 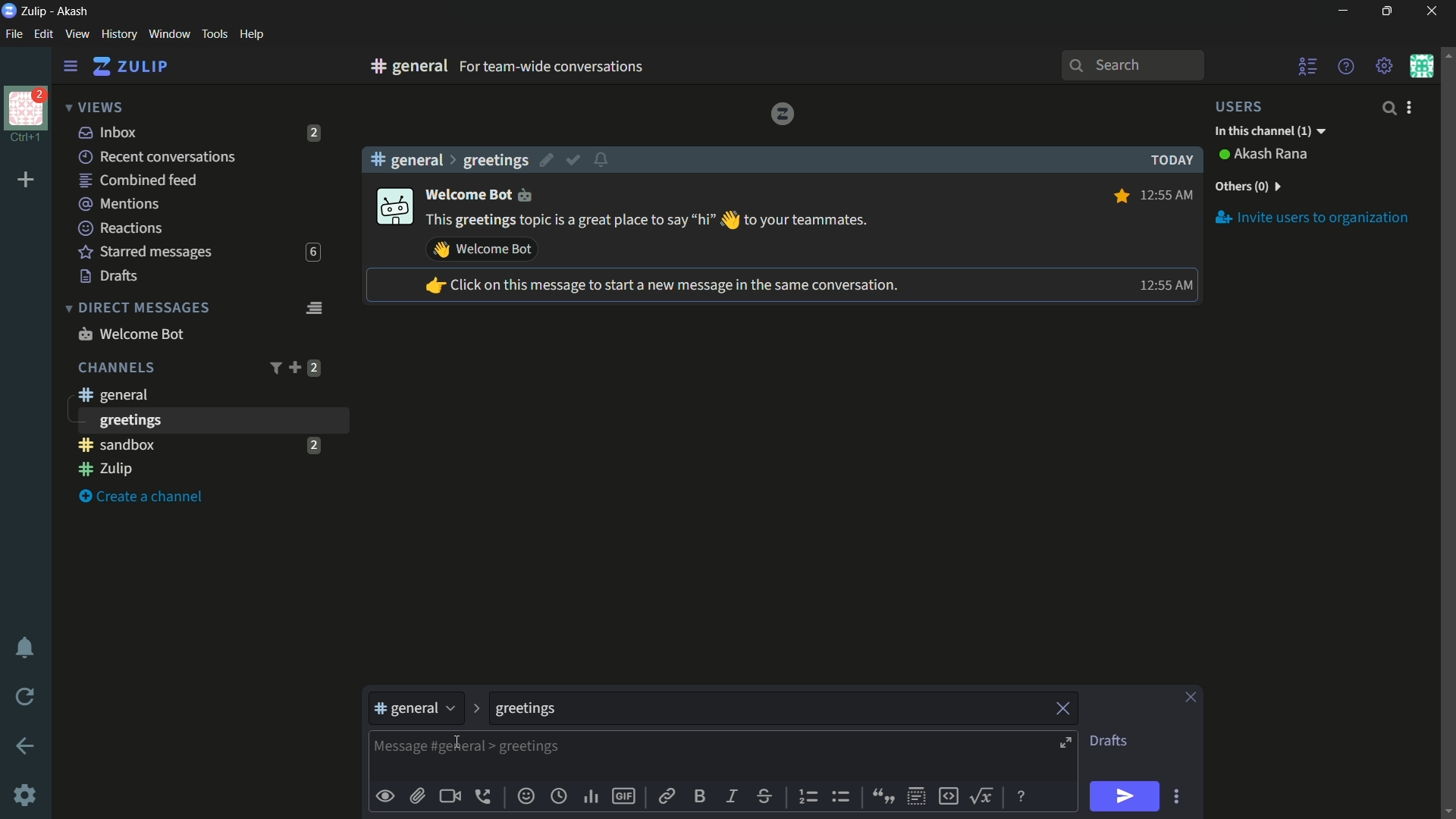 What do you see at coordinates (454, 743) in the screenshot?
I see `cursor` at bounding box center [454, 743].